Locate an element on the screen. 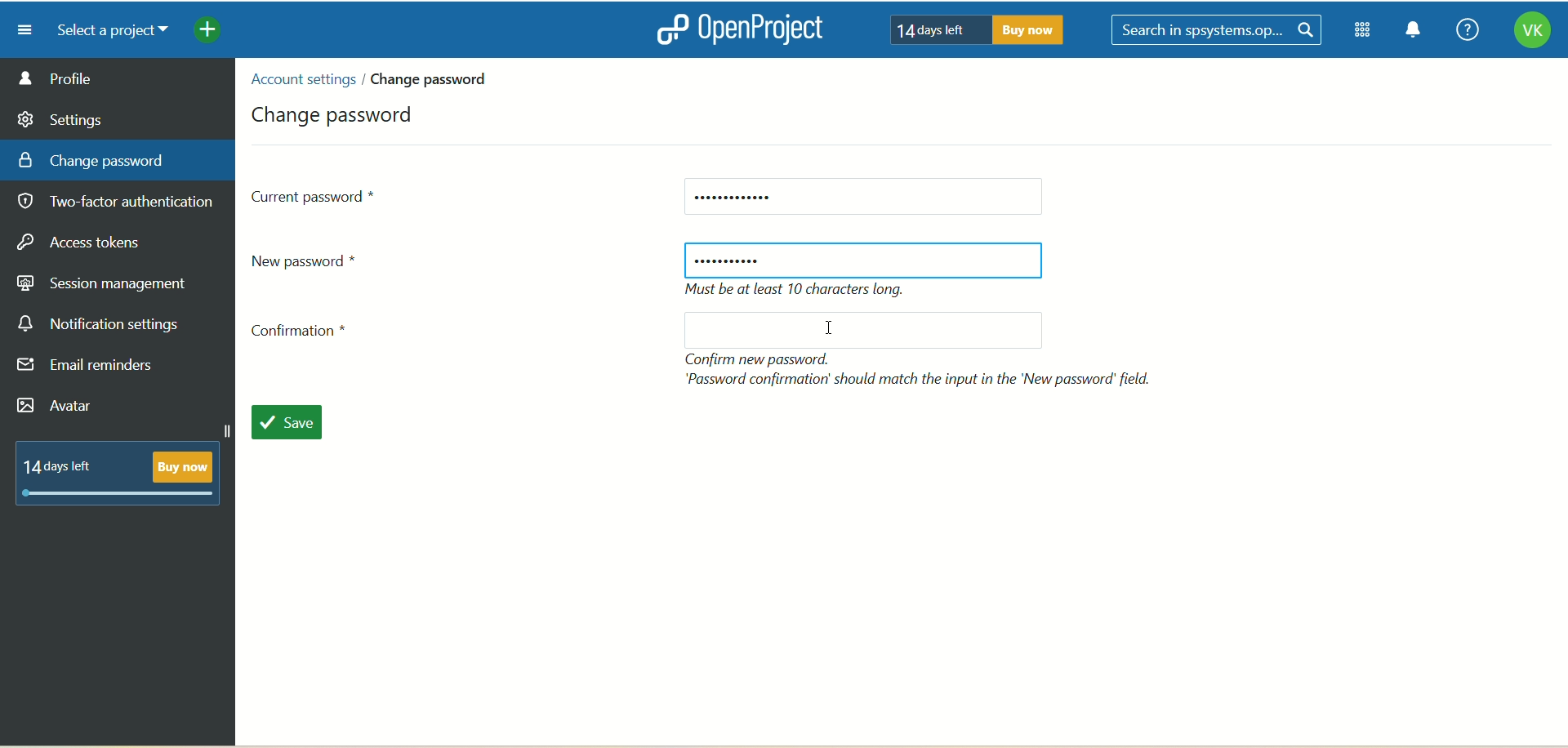 Image resolution: width=1568 pixels, height=748 pixels. notification settings is located at coordinates (99, 324).